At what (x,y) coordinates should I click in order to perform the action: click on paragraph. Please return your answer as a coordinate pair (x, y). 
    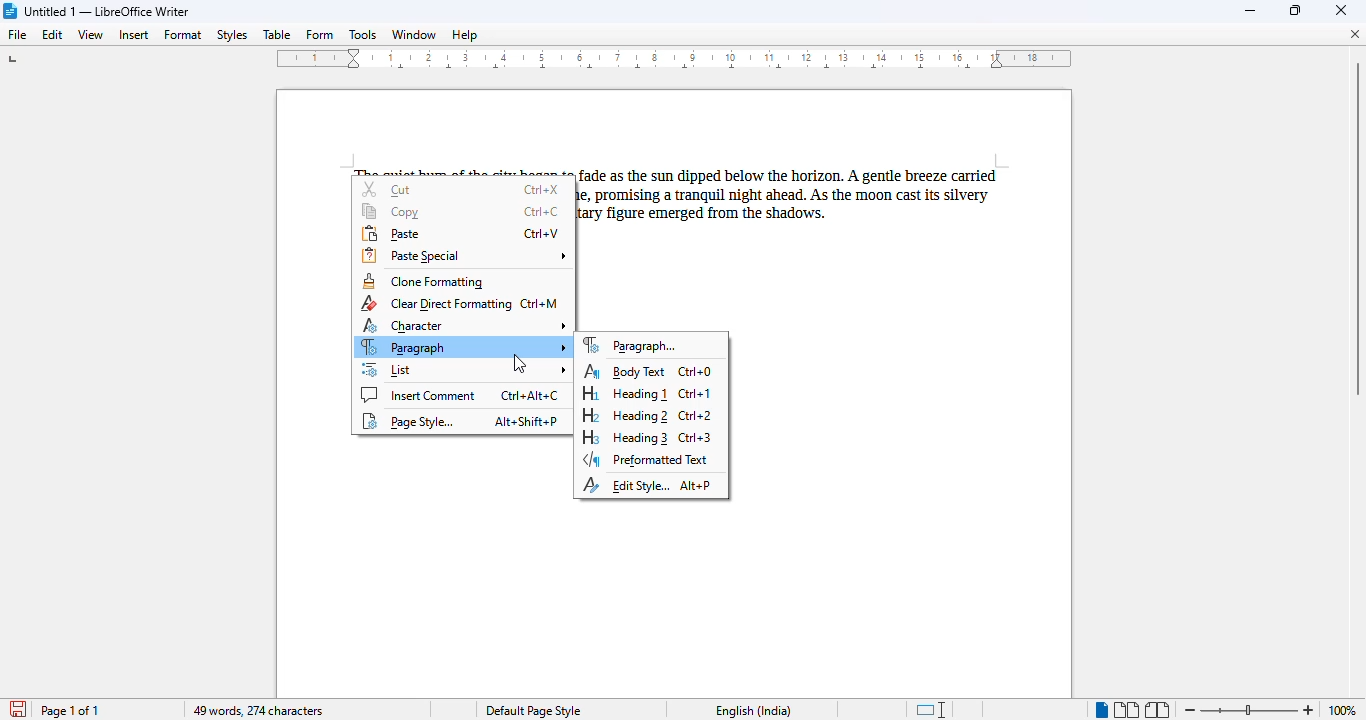
    Looking at the image, I should click on (464, 347).